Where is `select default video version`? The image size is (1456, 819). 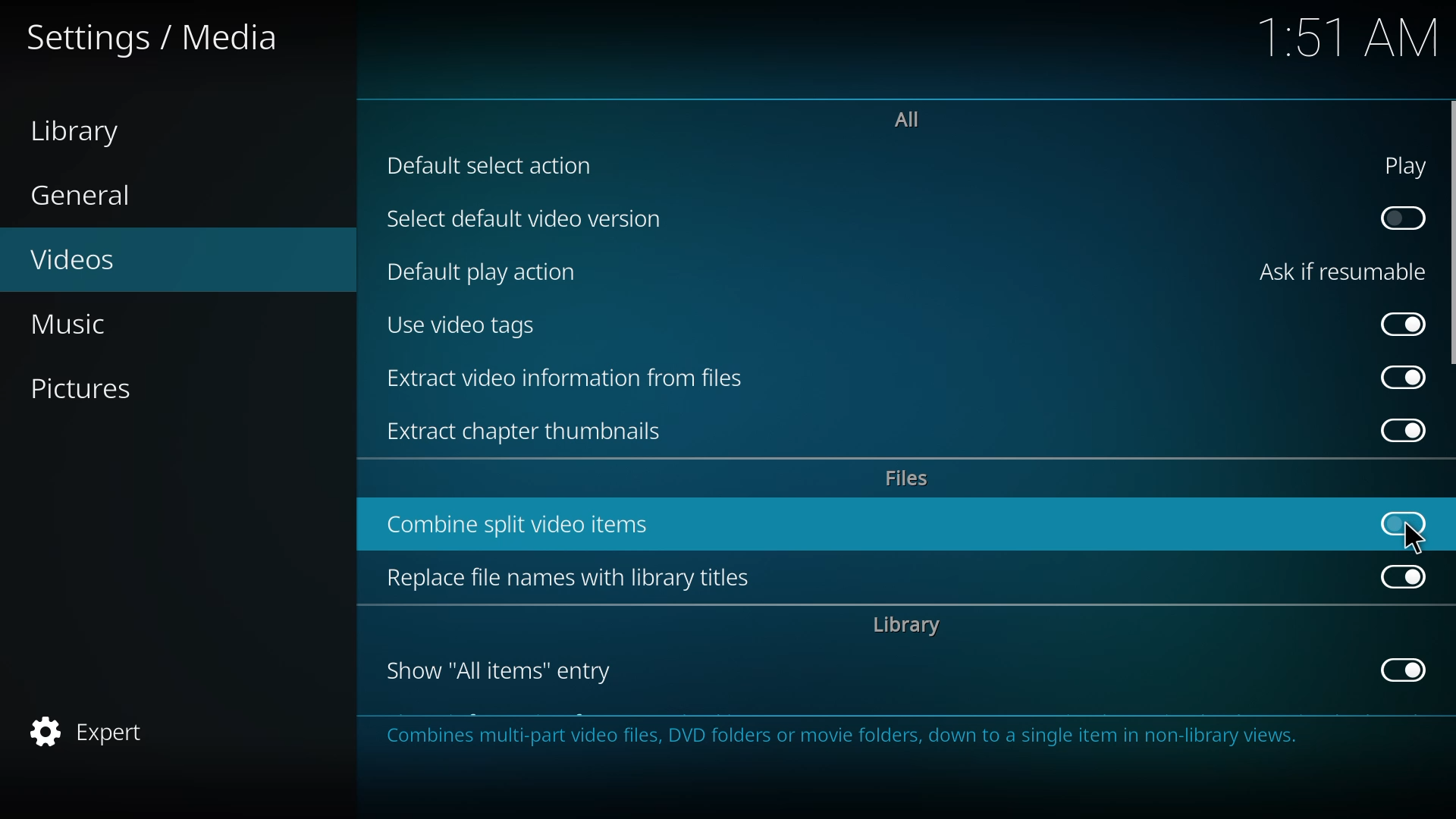
select default video version is located at coordinates (525, 219).